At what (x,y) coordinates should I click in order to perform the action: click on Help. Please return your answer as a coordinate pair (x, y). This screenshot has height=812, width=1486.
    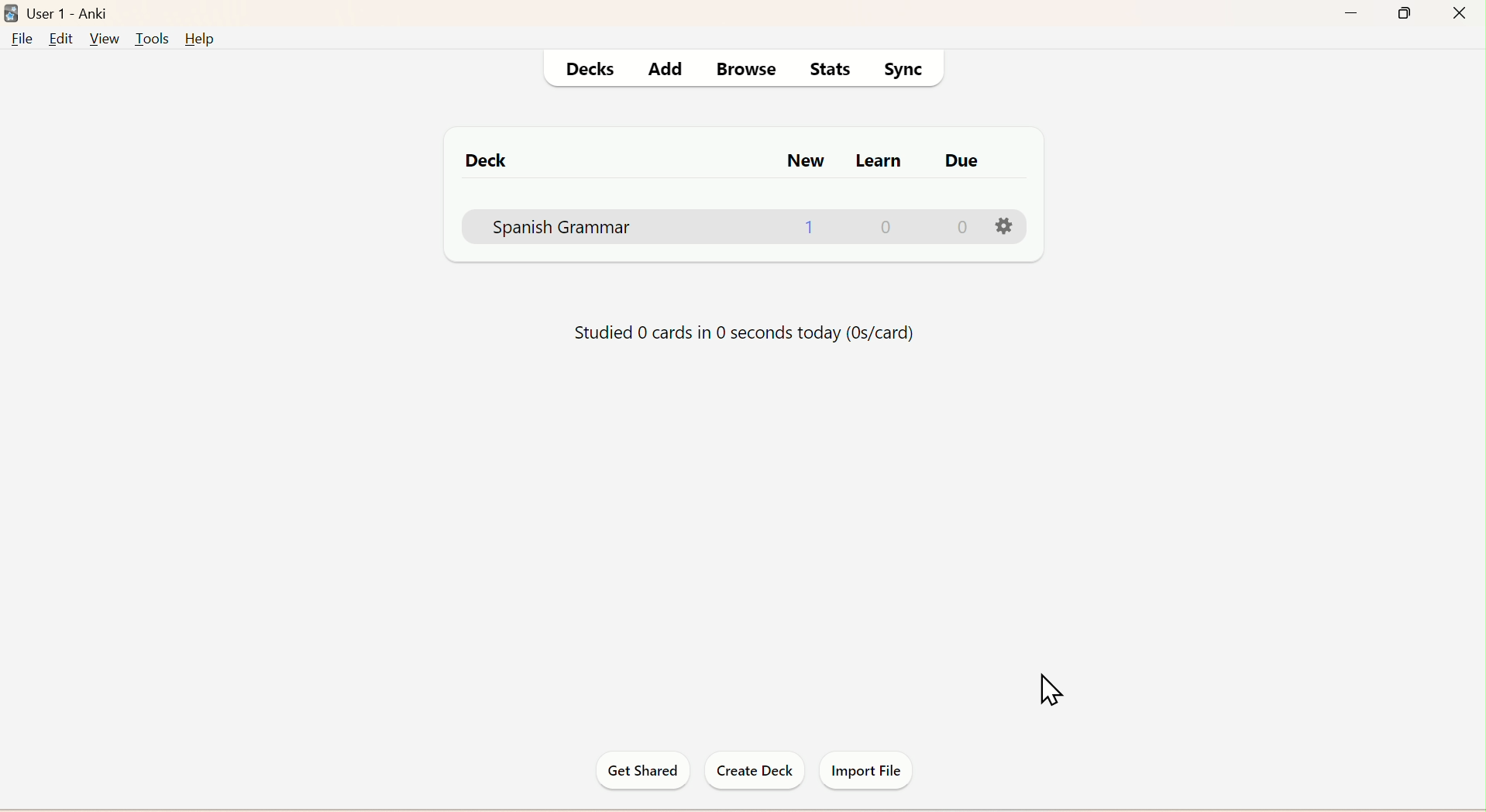
    Looking at the image, I should click on (198, 40).